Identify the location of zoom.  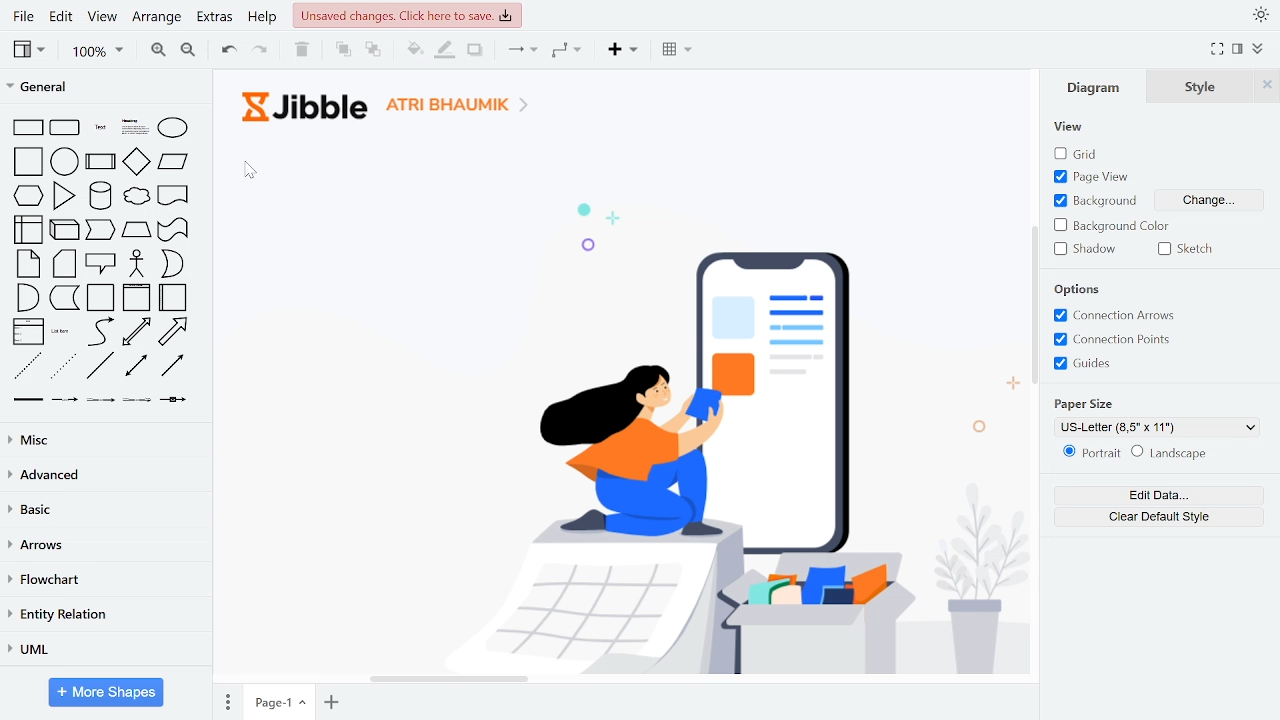
(98, 53).